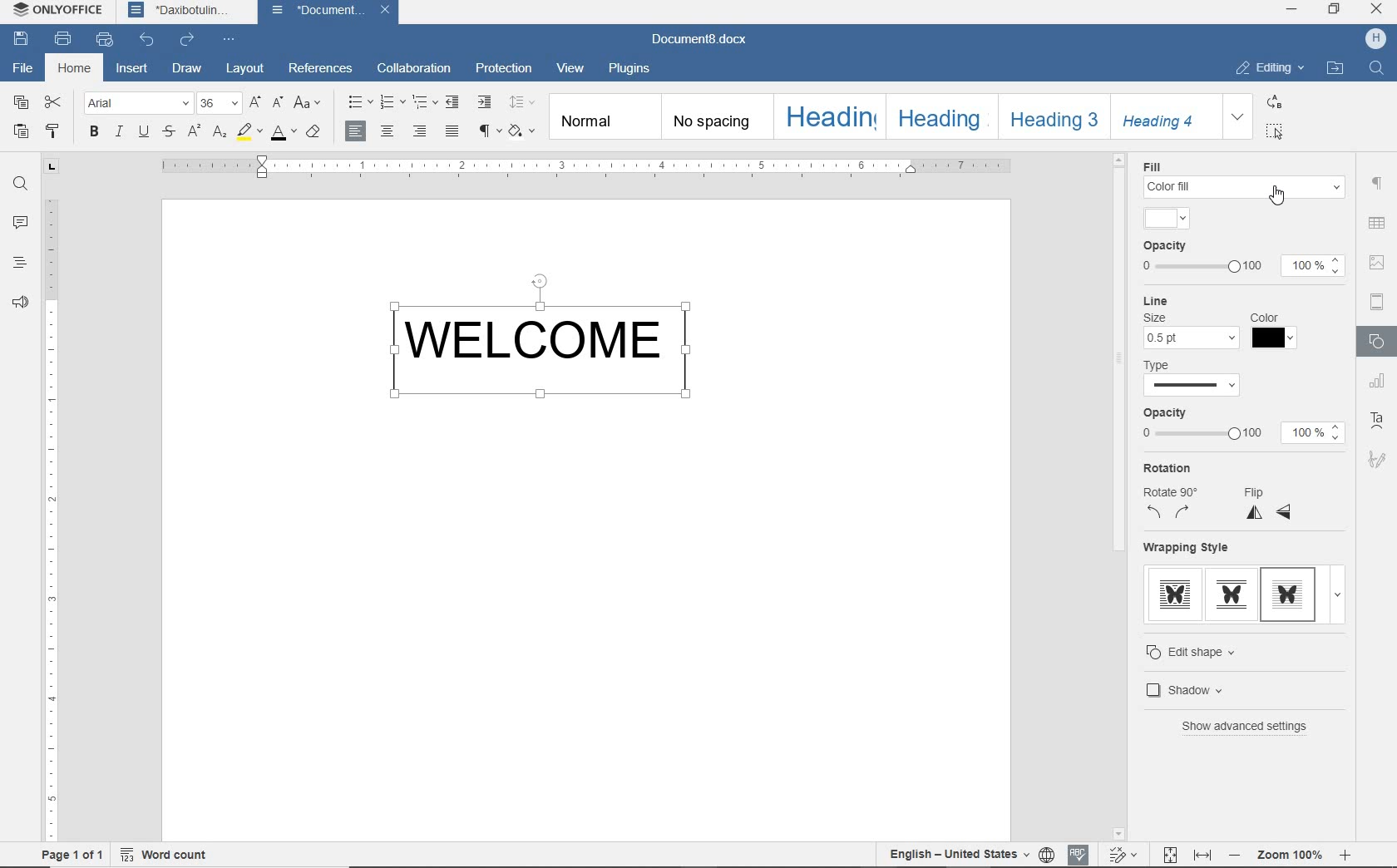 Image resolution: width=1397 pixels, height=868 pixels. I want to click on opacity from 0 to 100, so click(1201, 435).